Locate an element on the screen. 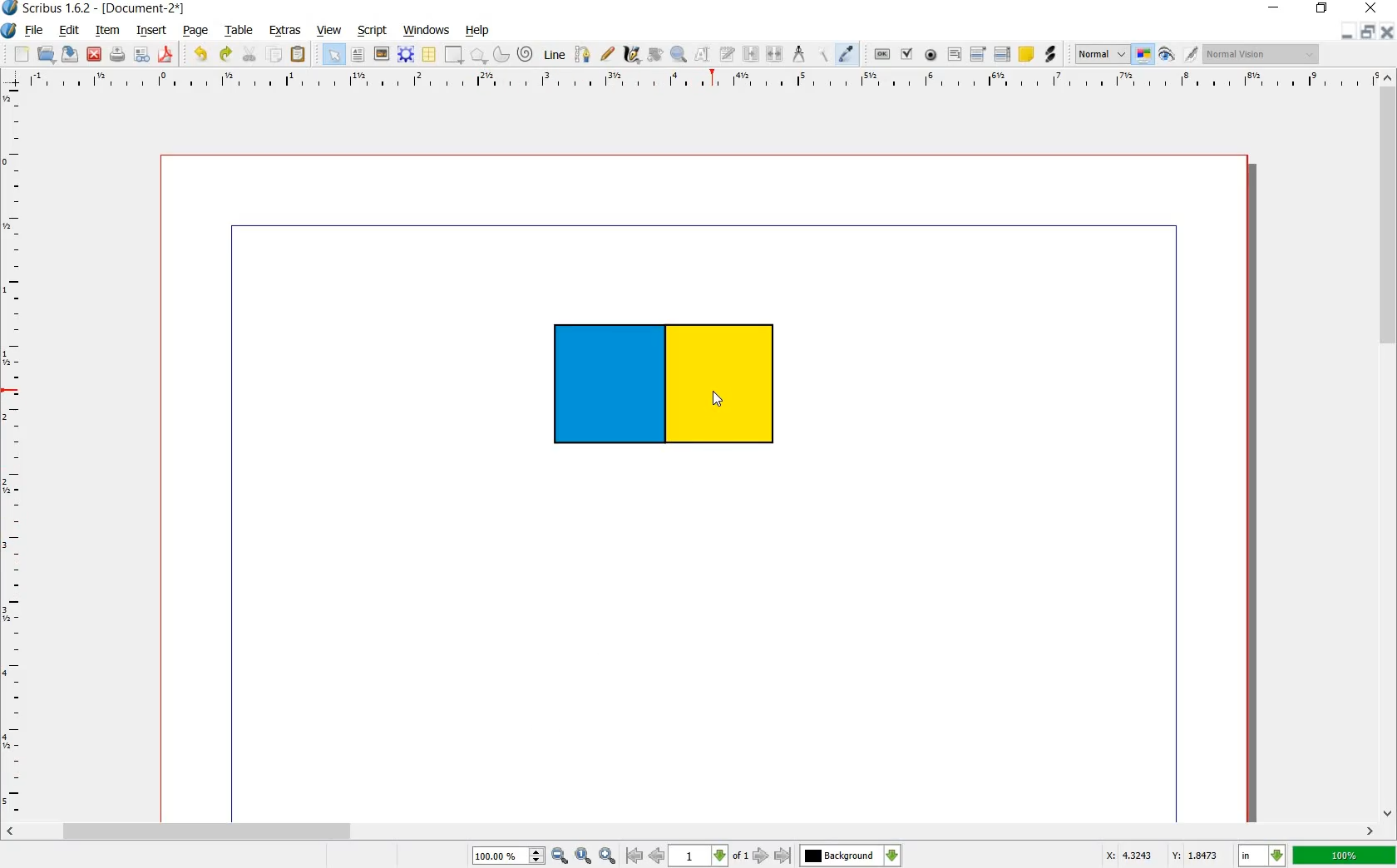 The height and width of the screenshot is (868, 1397). file is located at coordinates (33, 30).